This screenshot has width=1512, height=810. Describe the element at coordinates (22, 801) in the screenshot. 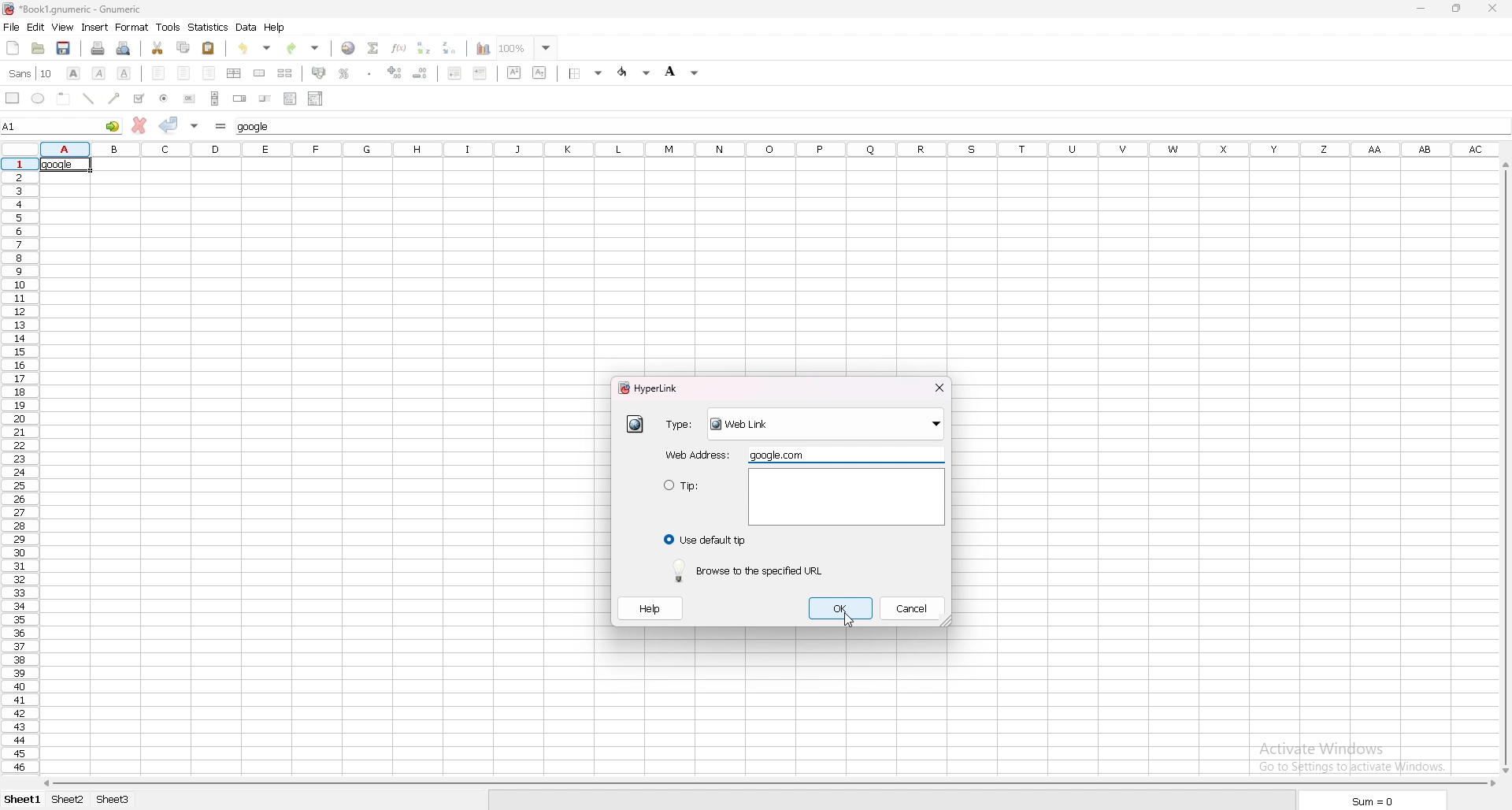

I see `Sheet 1` at that location.